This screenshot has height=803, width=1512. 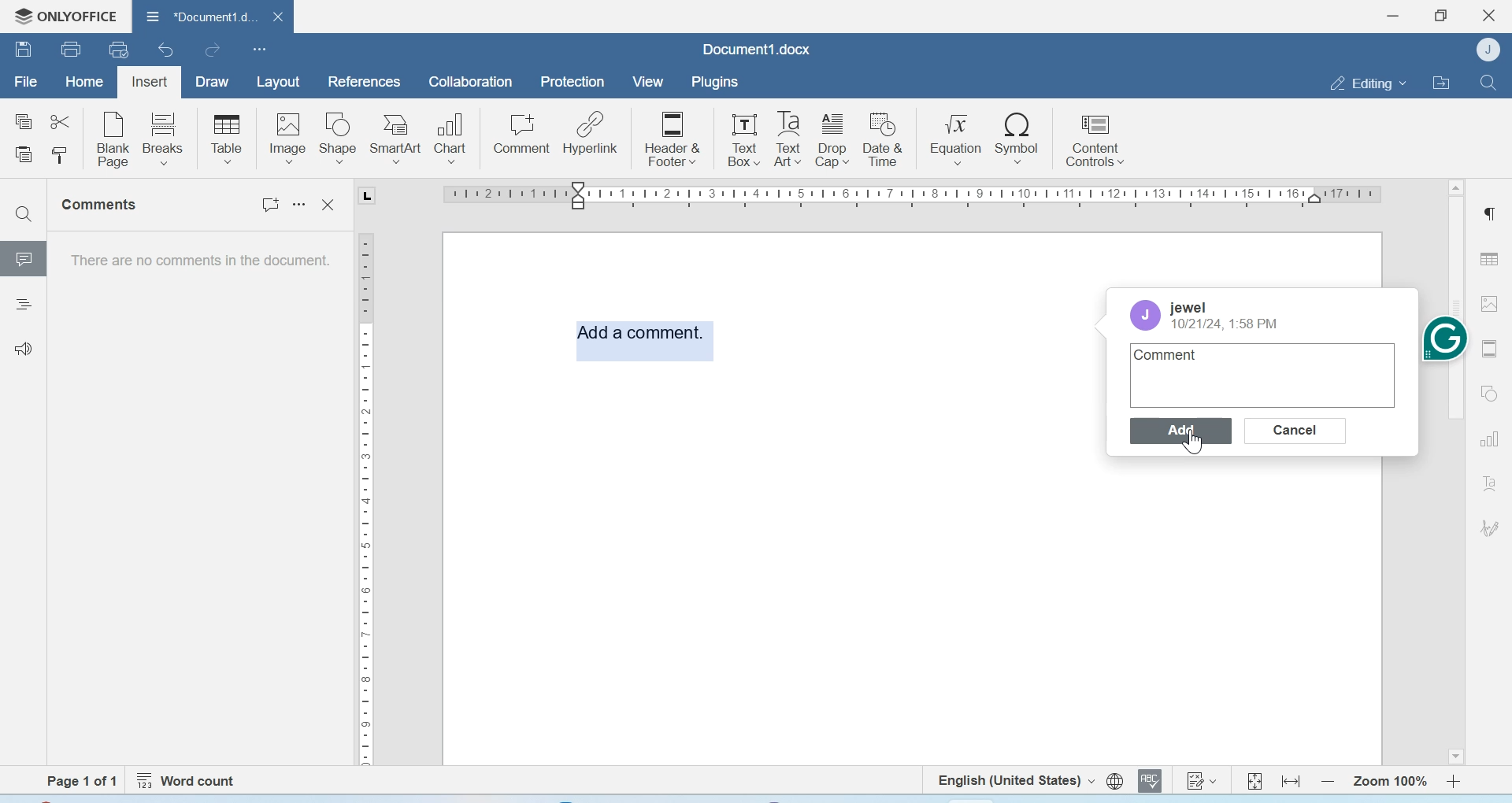 What do you see at coordinates (164, 137) in the screenshot?
I see `breaks` at bounding box center [164, 137].